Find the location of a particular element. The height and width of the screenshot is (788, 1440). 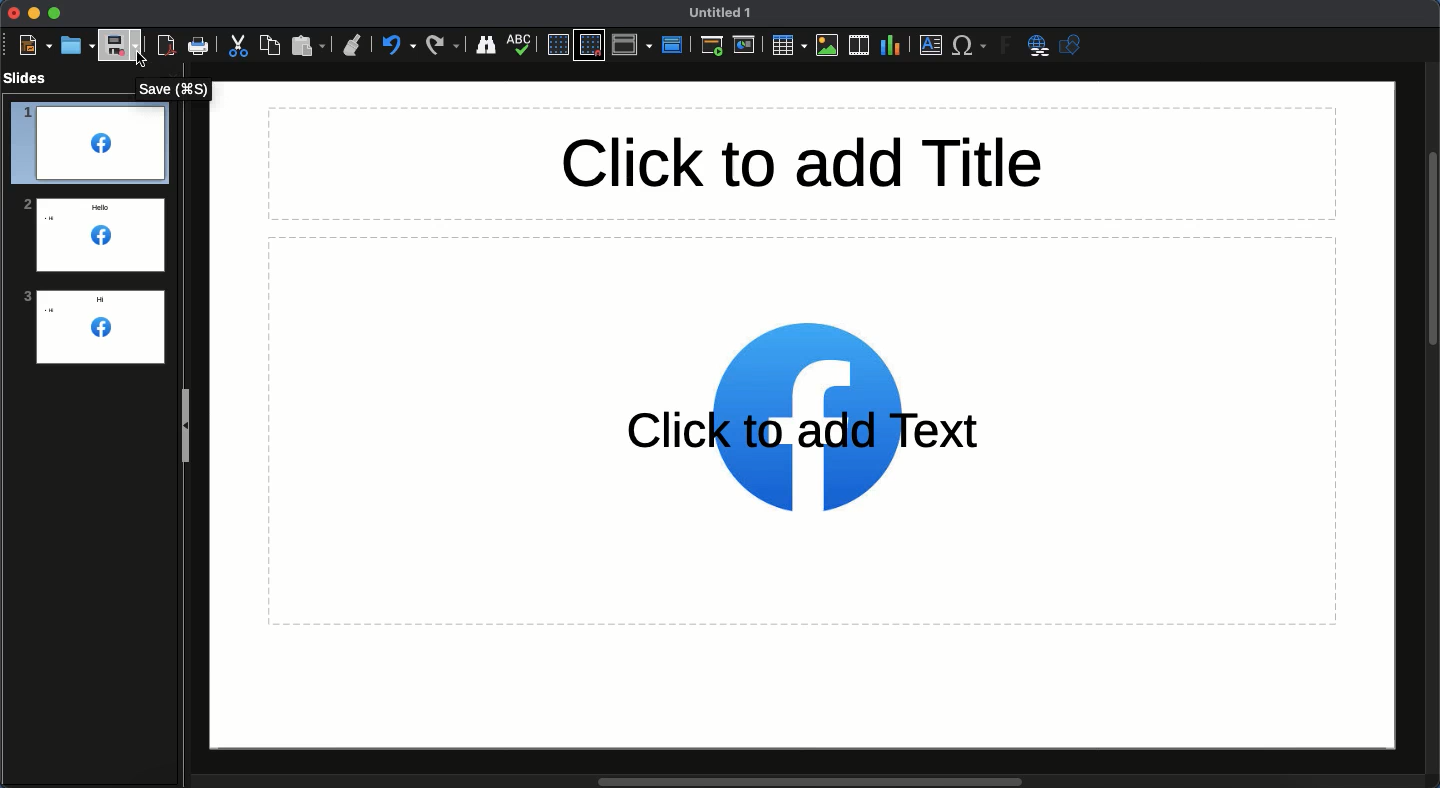

Copy is located at coordinates (269, 45).